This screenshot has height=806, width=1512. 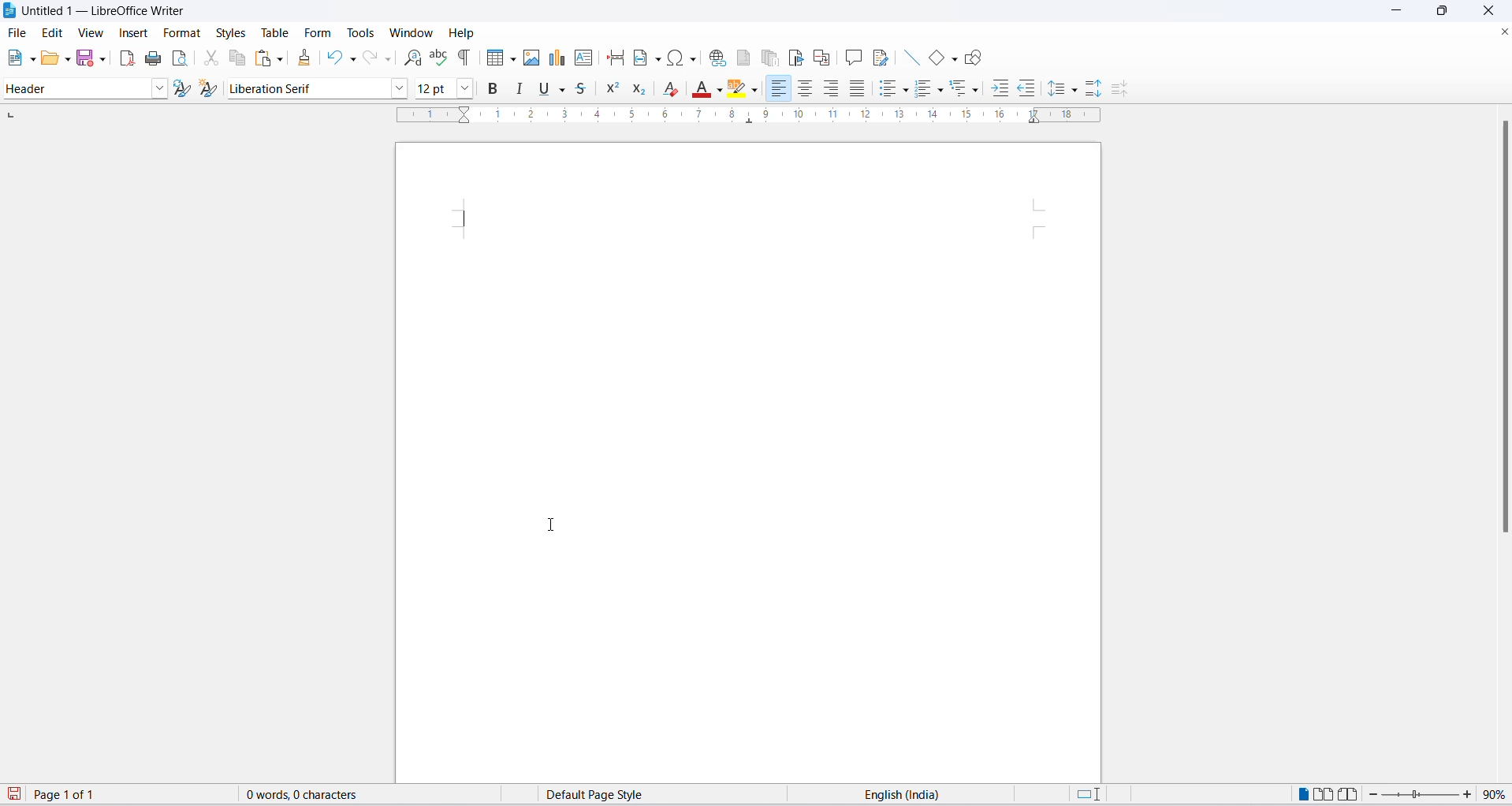 What do you see at coordinates (491, 58) in the screenshot?
I see `insert grid` at bounding box center [491, 58].